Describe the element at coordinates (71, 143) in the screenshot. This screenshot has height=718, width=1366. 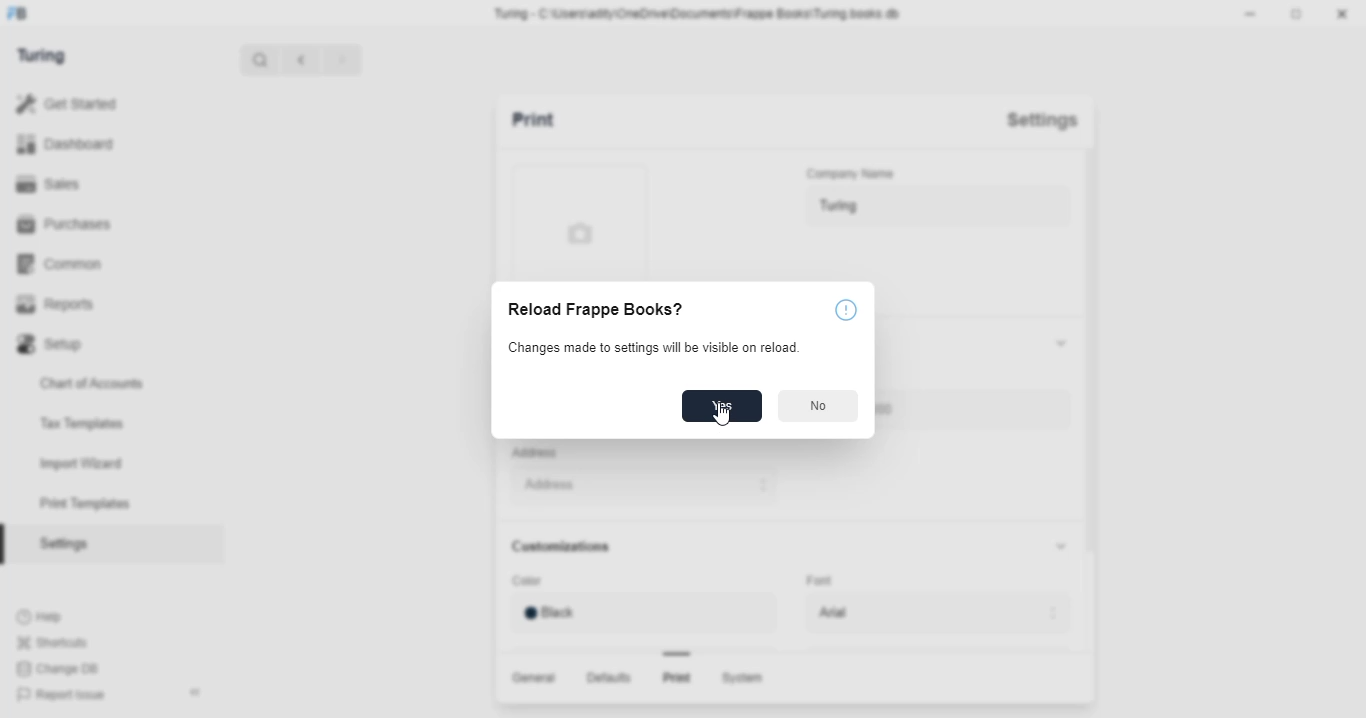
I see `Dashboard` at that location.